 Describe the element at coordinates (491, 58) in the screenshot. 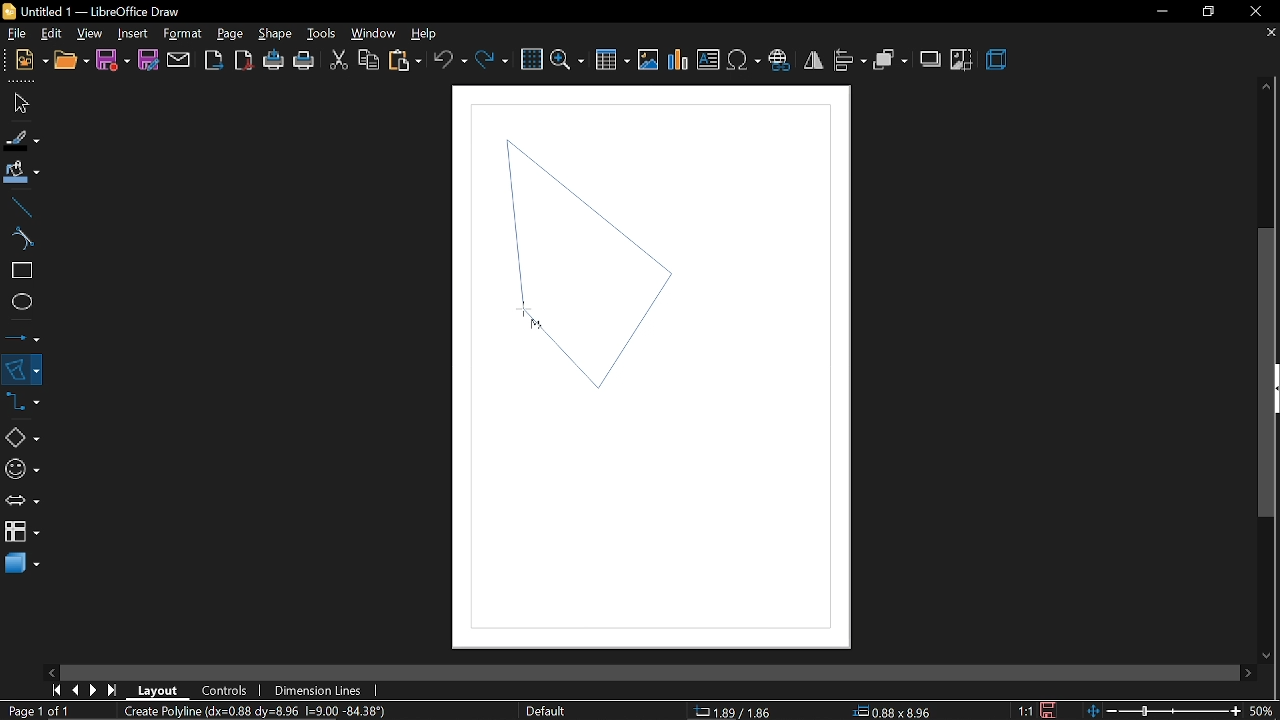

I see `redo` at that location.